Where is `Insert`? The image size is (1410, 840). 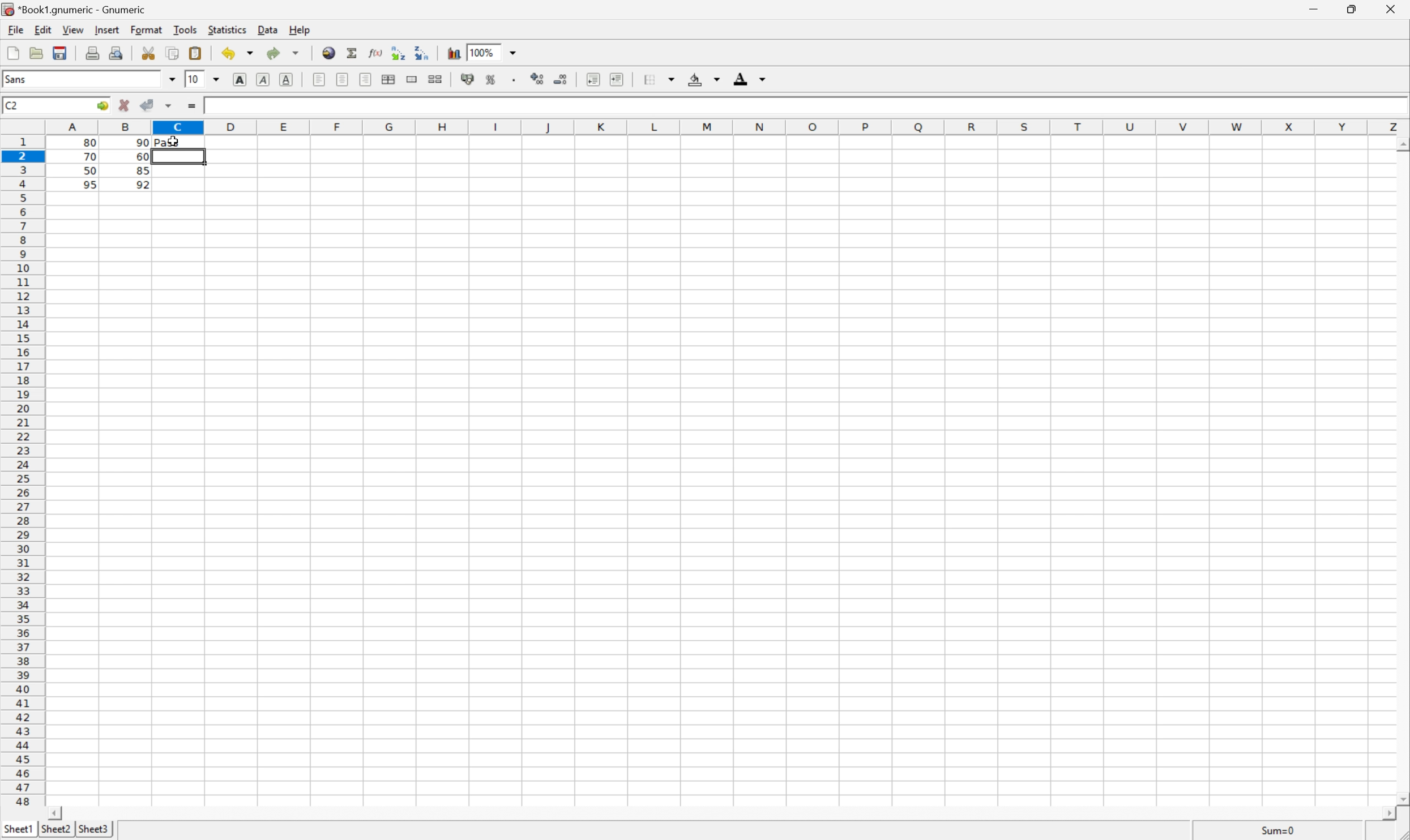
Insert is located at coordinates (108, 31).